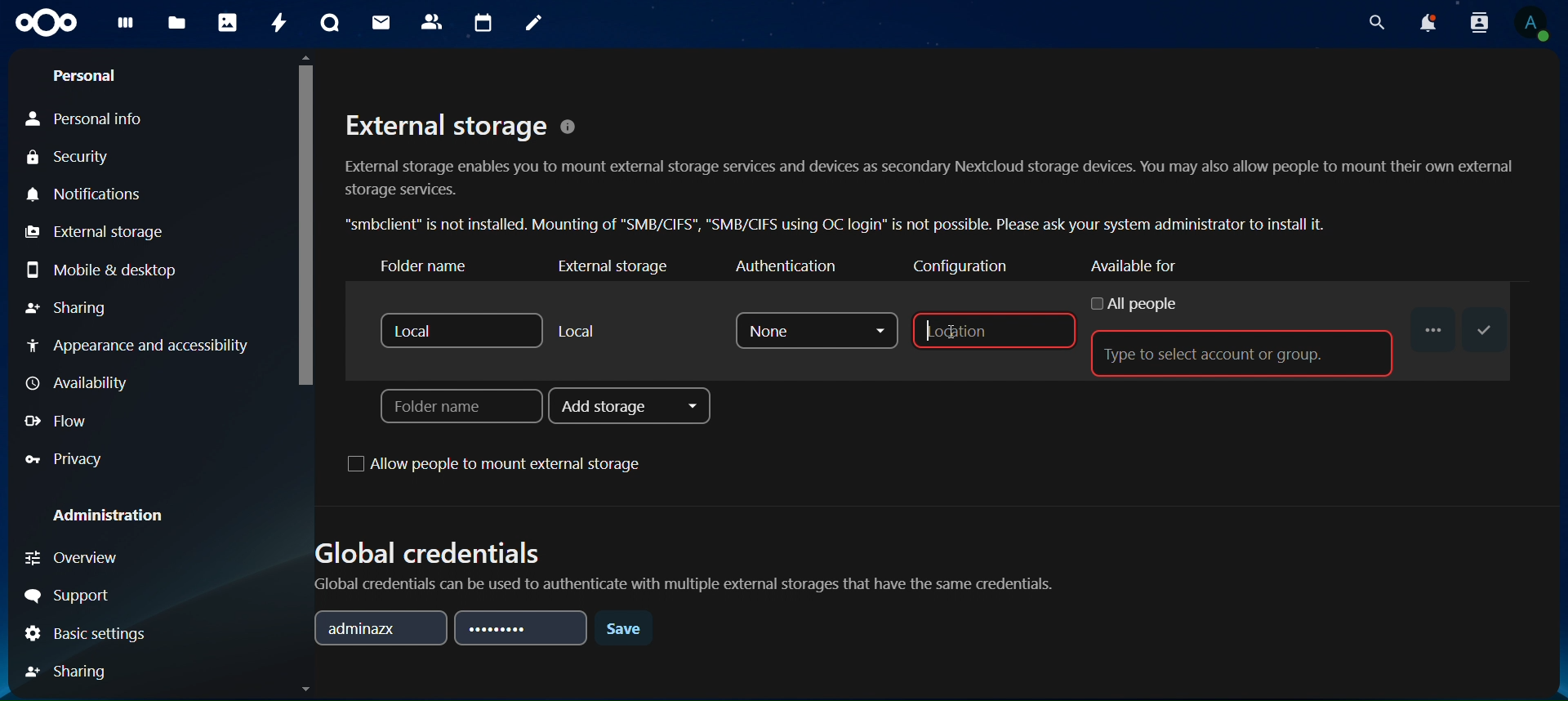 This screenshot has width=1568, height=701. Describe the element at coordinates (1134, 303) in the screenshot. I see `all people` at that location.